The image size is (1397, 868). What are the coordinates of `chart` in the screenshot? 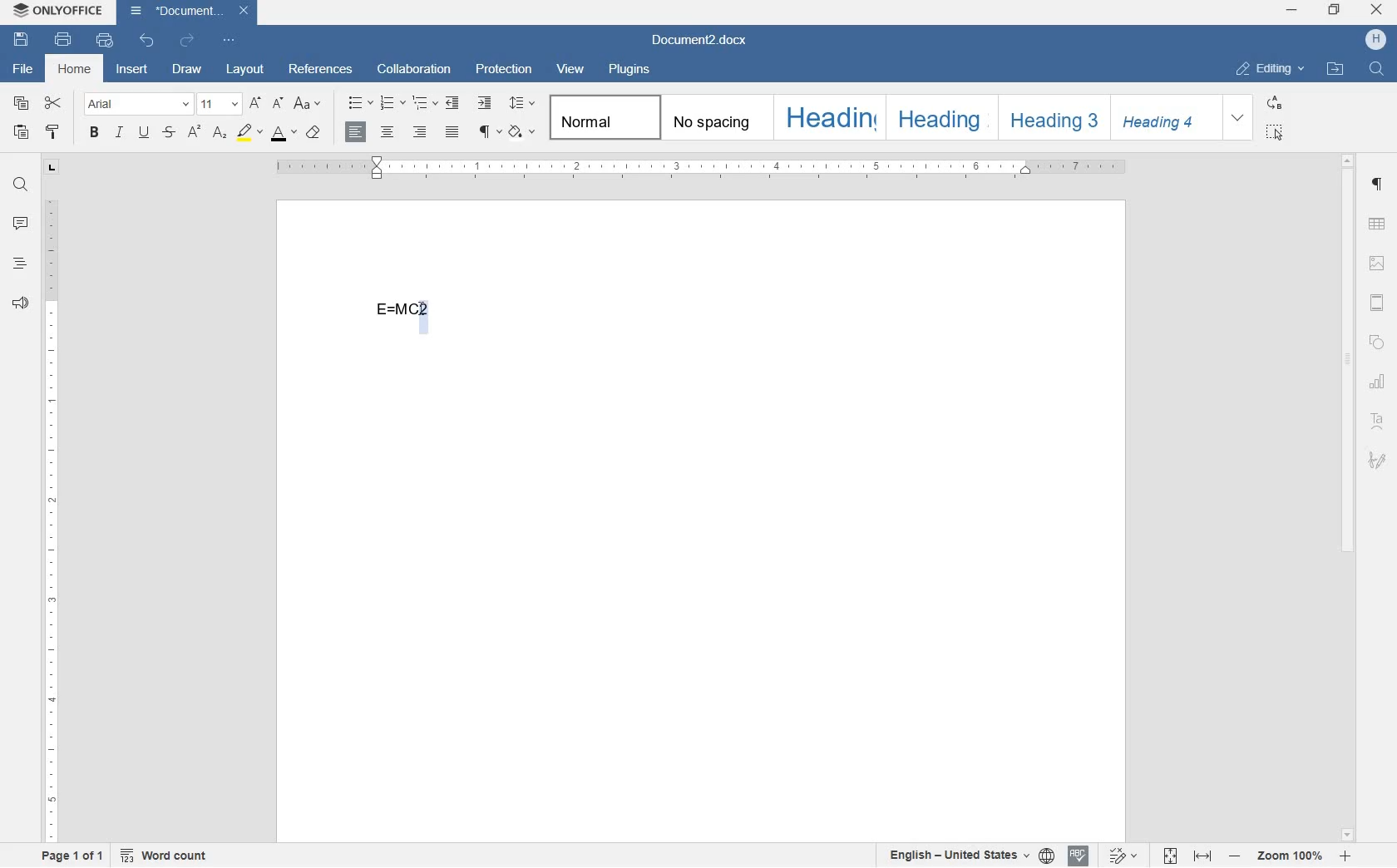 It's located at (1380, 384).